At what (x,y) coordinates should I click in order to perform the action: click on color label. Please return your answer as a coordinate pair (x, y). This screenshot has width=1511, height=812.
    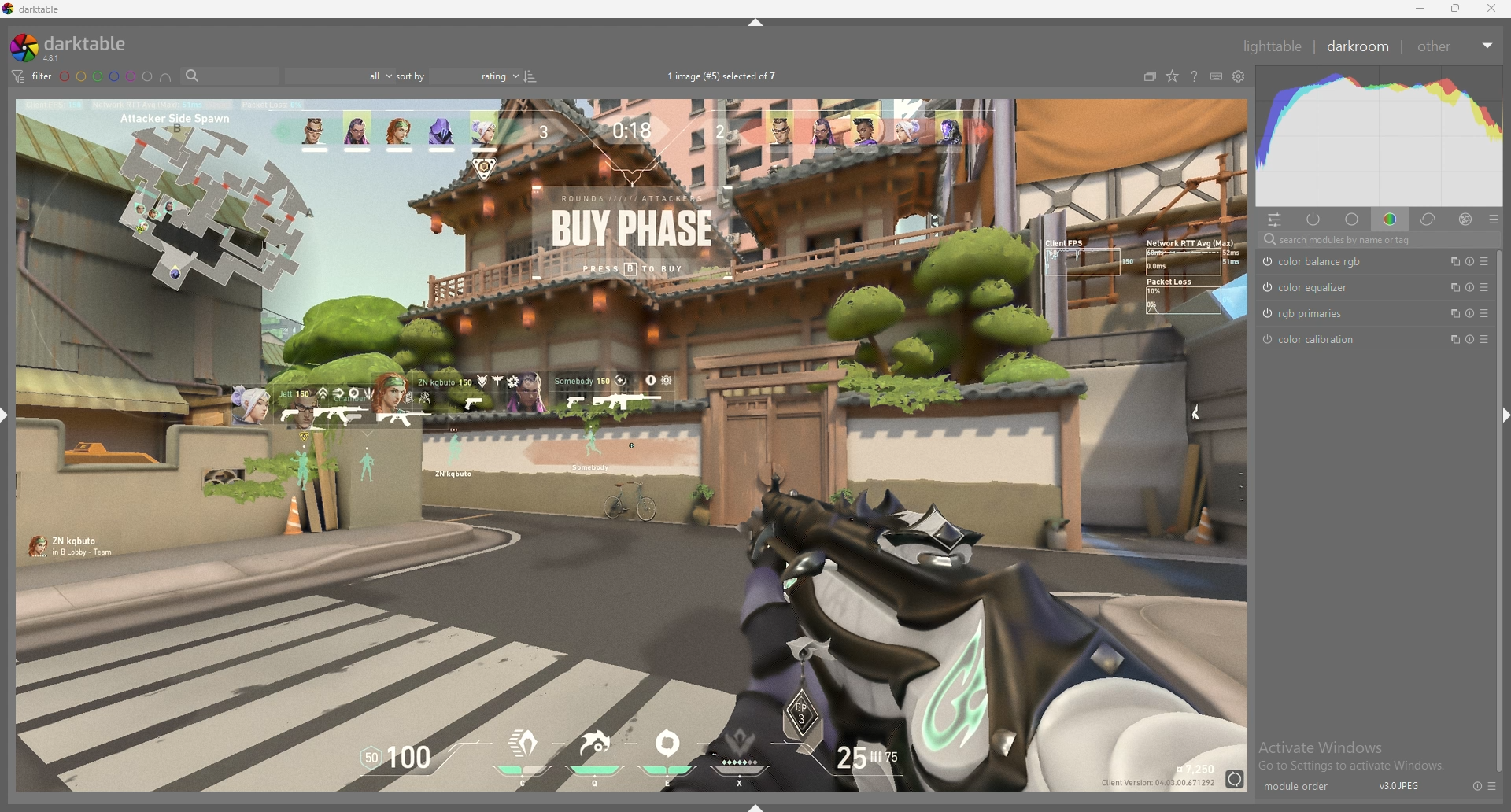
    Looking at the image, I should click on (107, 76).